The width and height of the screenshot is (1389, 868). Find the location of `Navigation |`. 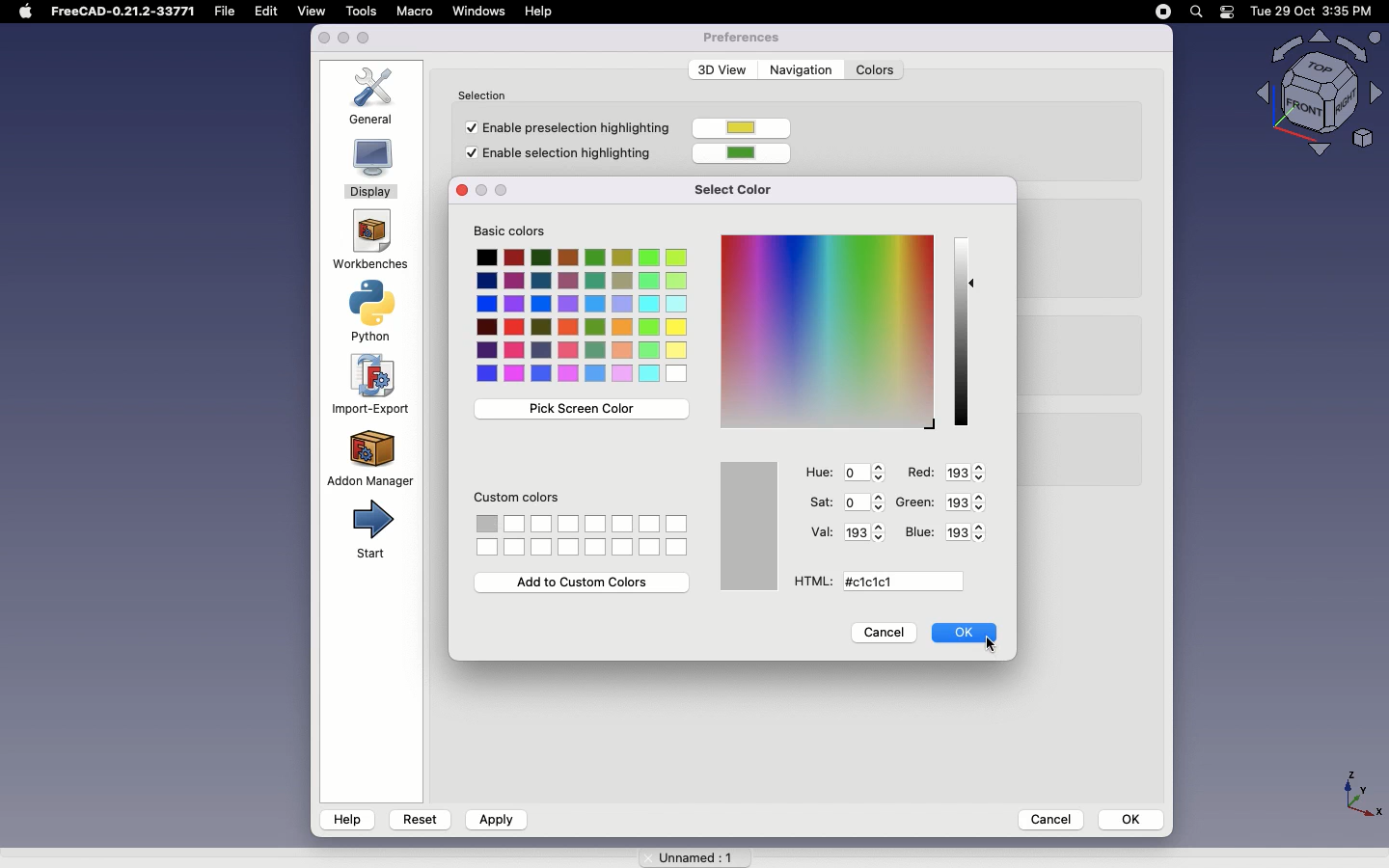

Navigation | is located at coordinates (799, 68).